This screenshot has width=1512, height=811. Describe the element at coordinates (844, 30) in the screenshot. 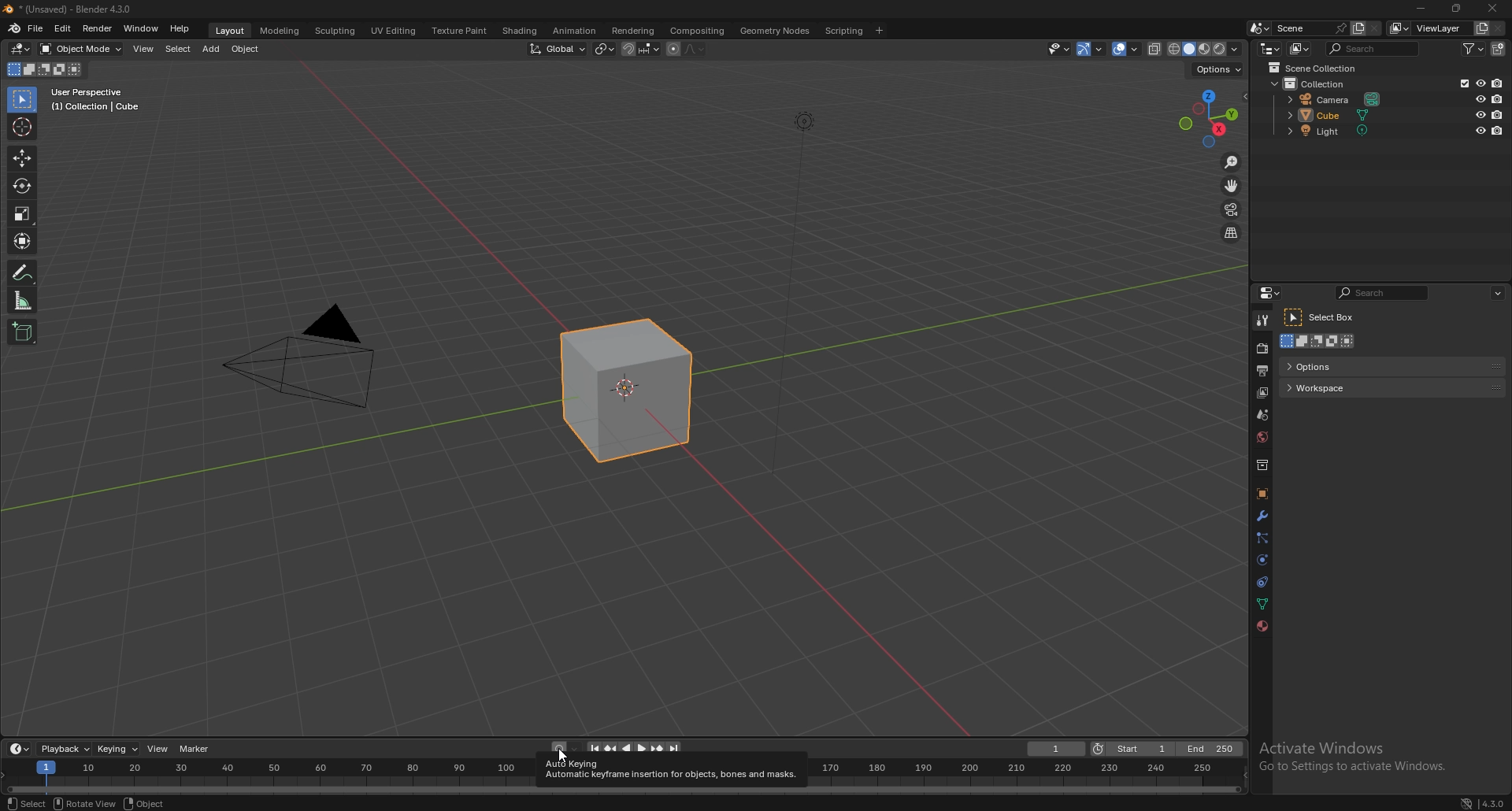

I see `scripting` at that location.